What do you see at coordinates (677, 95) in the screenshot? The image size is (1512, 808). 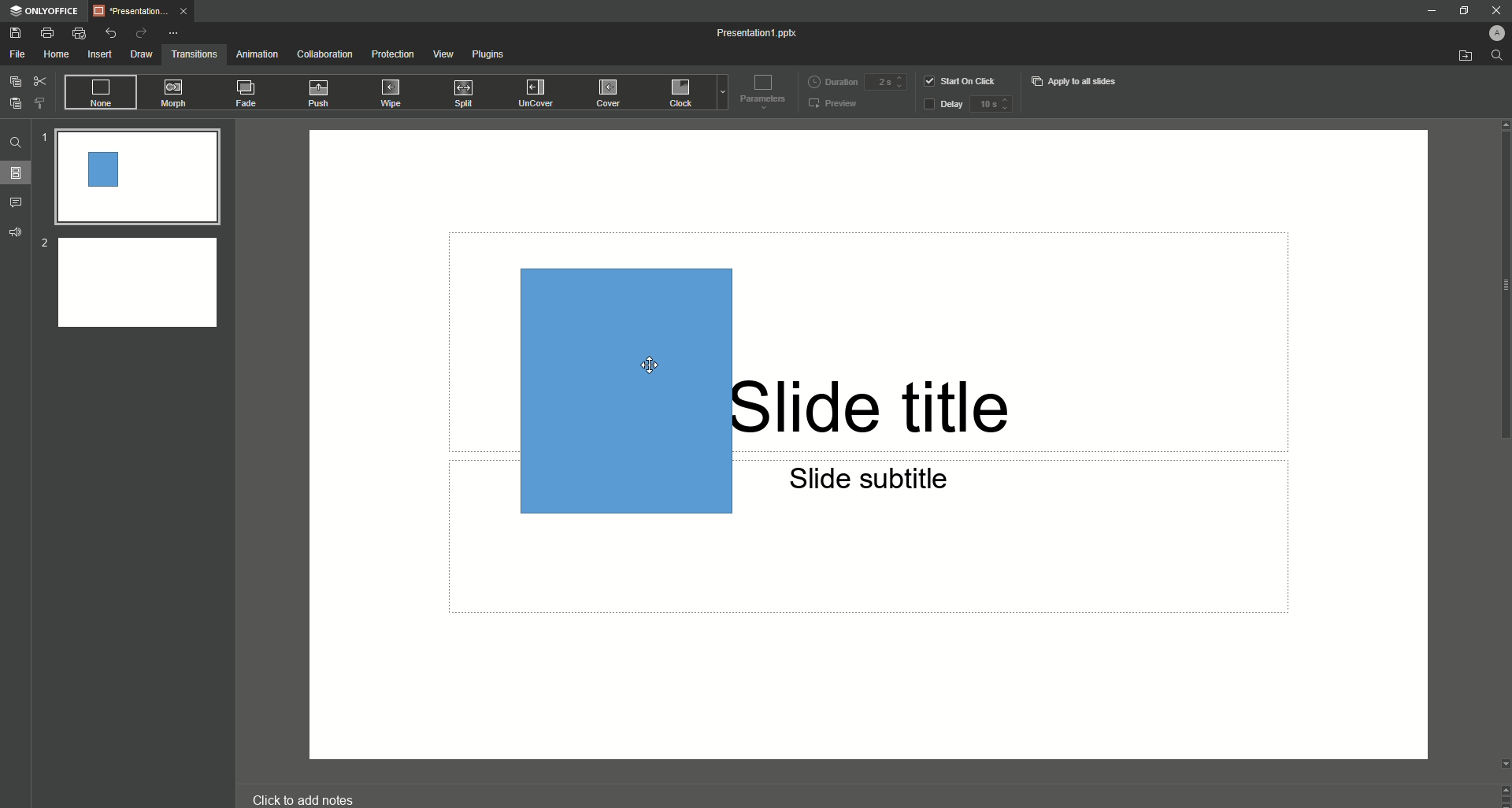 I see `Clock` at bounding box center [677, 95].